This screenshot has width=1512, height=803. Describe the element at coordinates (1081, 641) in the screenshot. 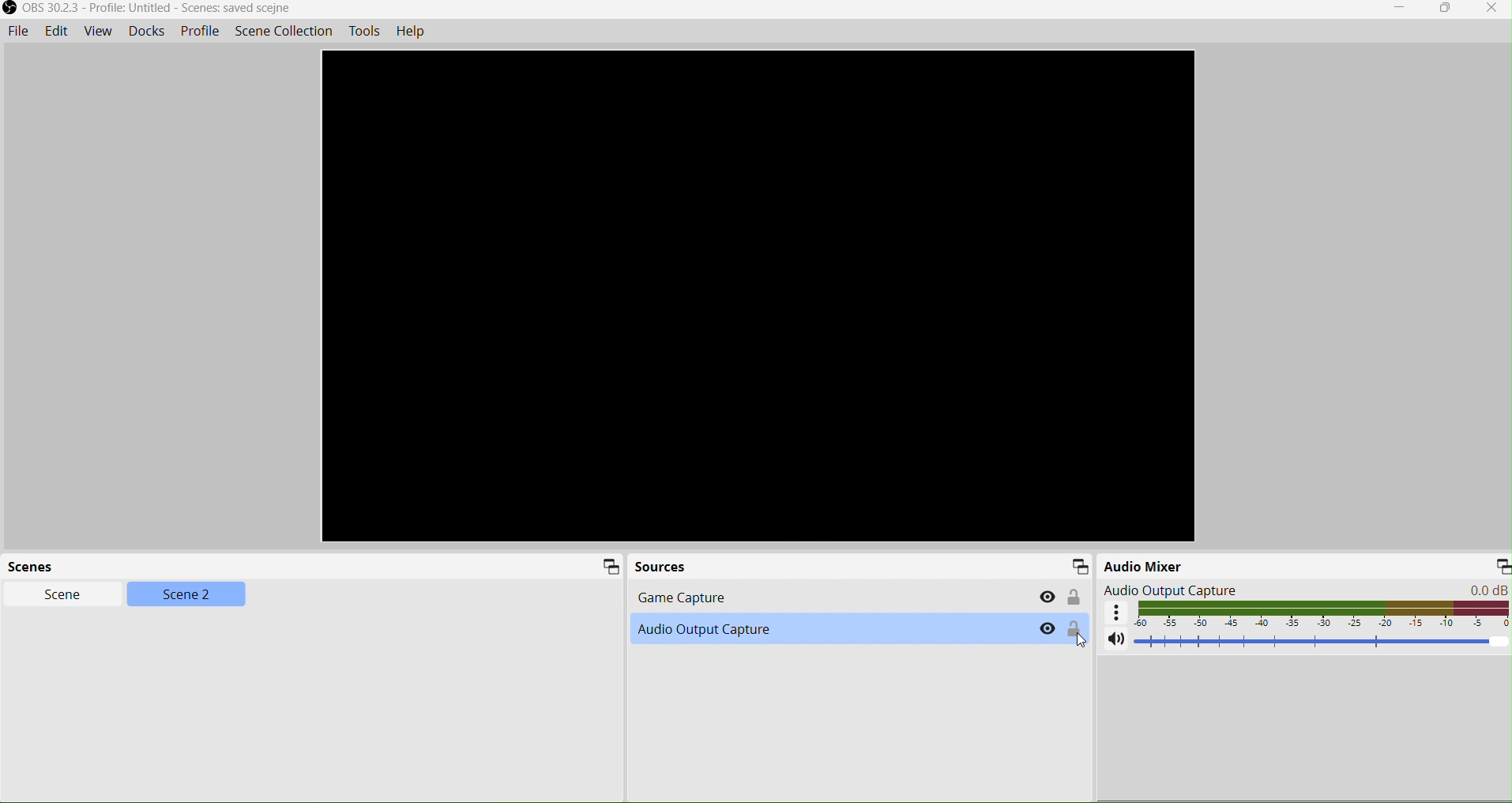

I see `Cursor` at that location.